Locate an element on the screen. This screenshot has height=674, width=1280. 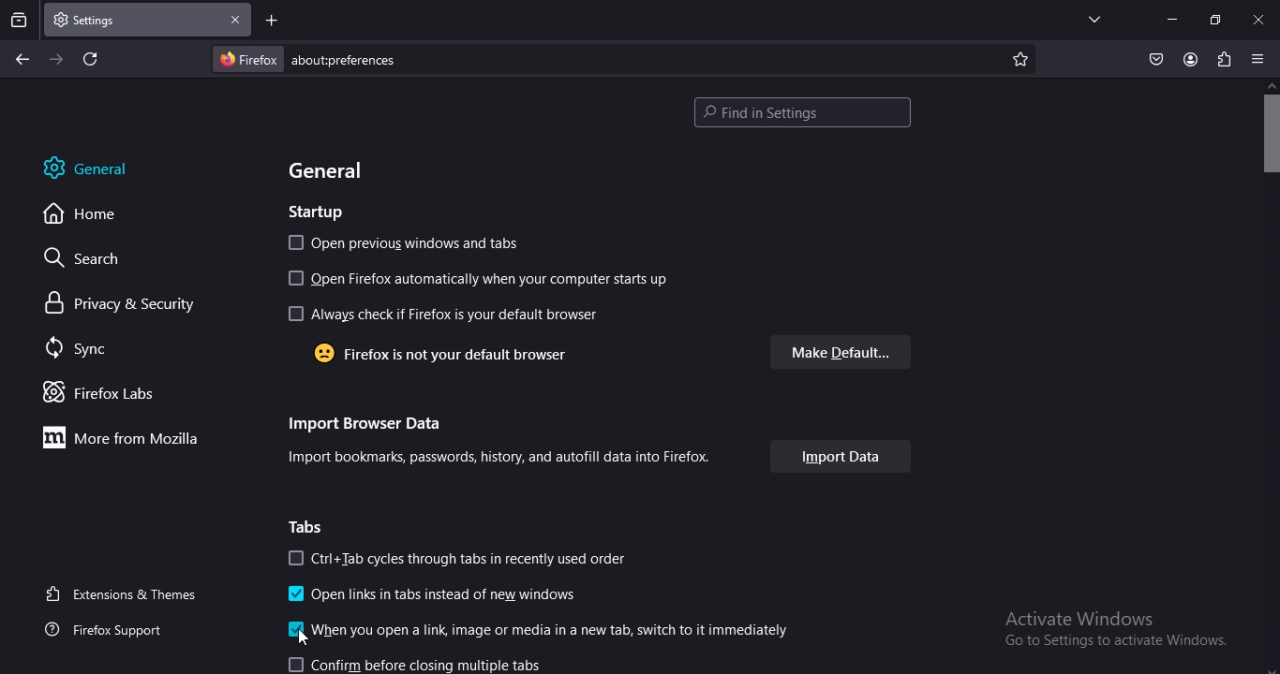
sync is located at coordinates (77, 348).